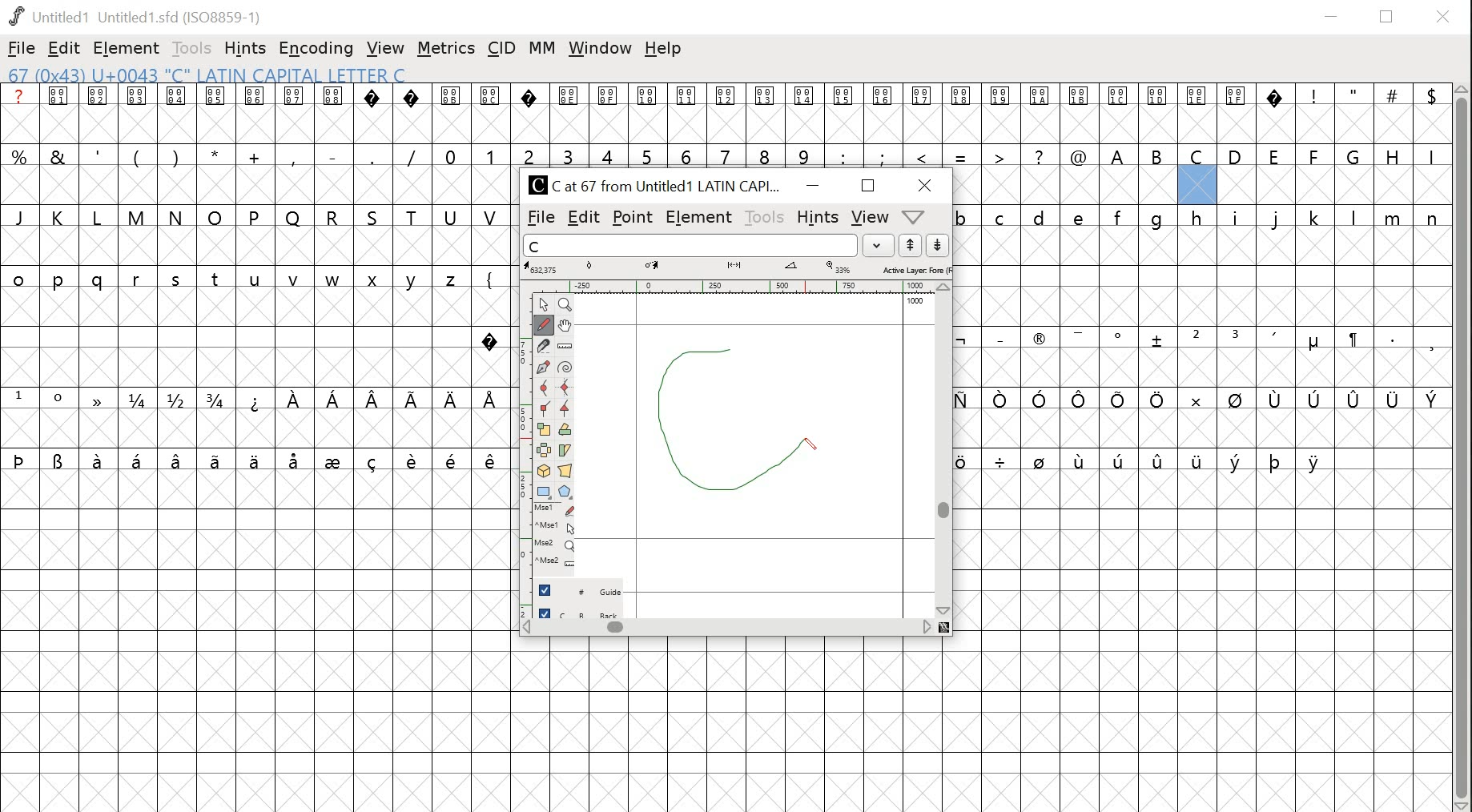 The image size is (1472, 812). Describe the element at coordinates (868, 215) in the screenshot. I see `view` at that location.